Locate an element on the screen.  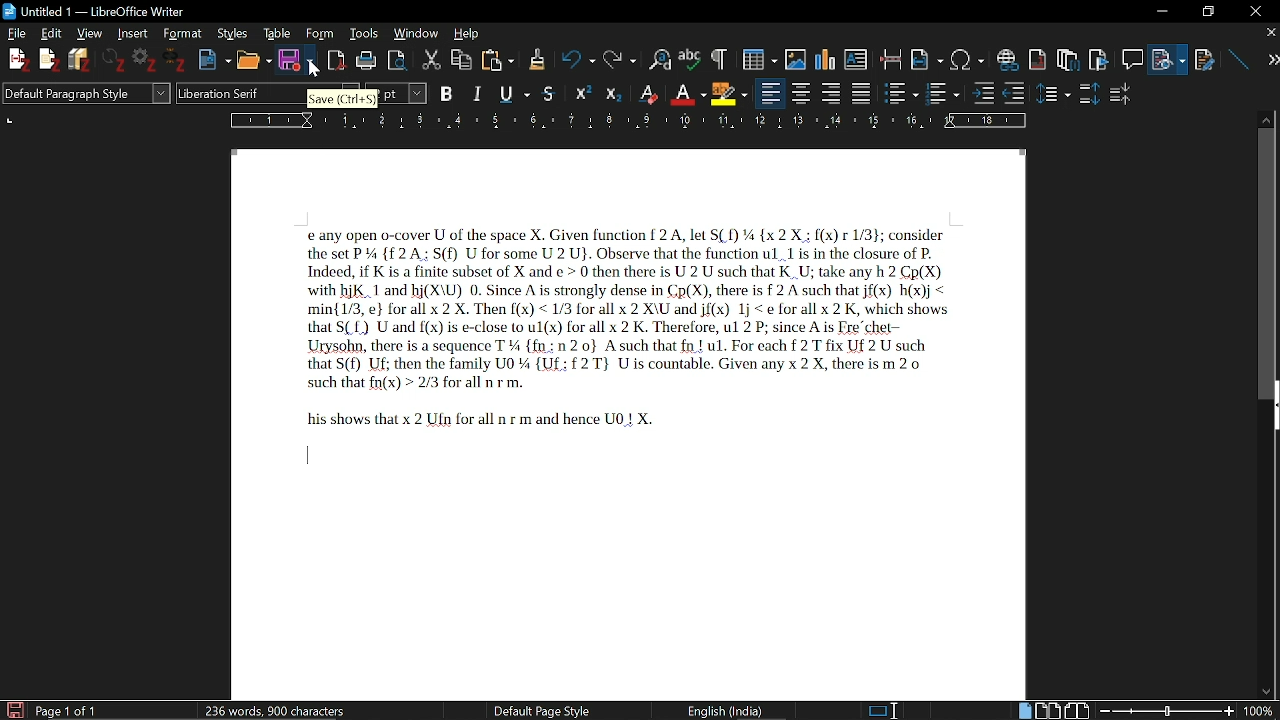
Insert link is located at coordinates (1007, 56).